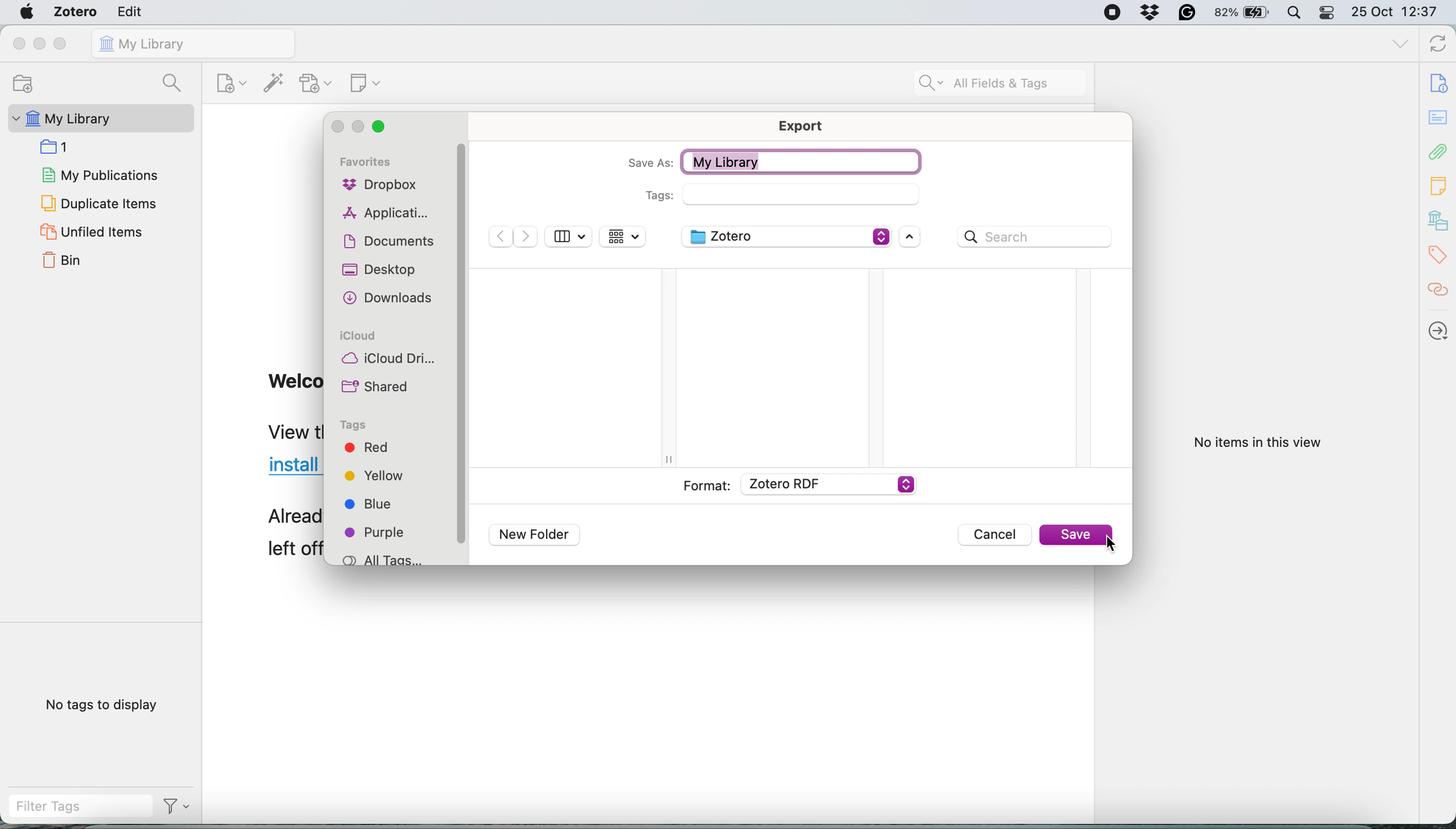  What do you see at coordinates (27, 11) in the screenshot?
I see `system logo` at bounding box center [27, 11].